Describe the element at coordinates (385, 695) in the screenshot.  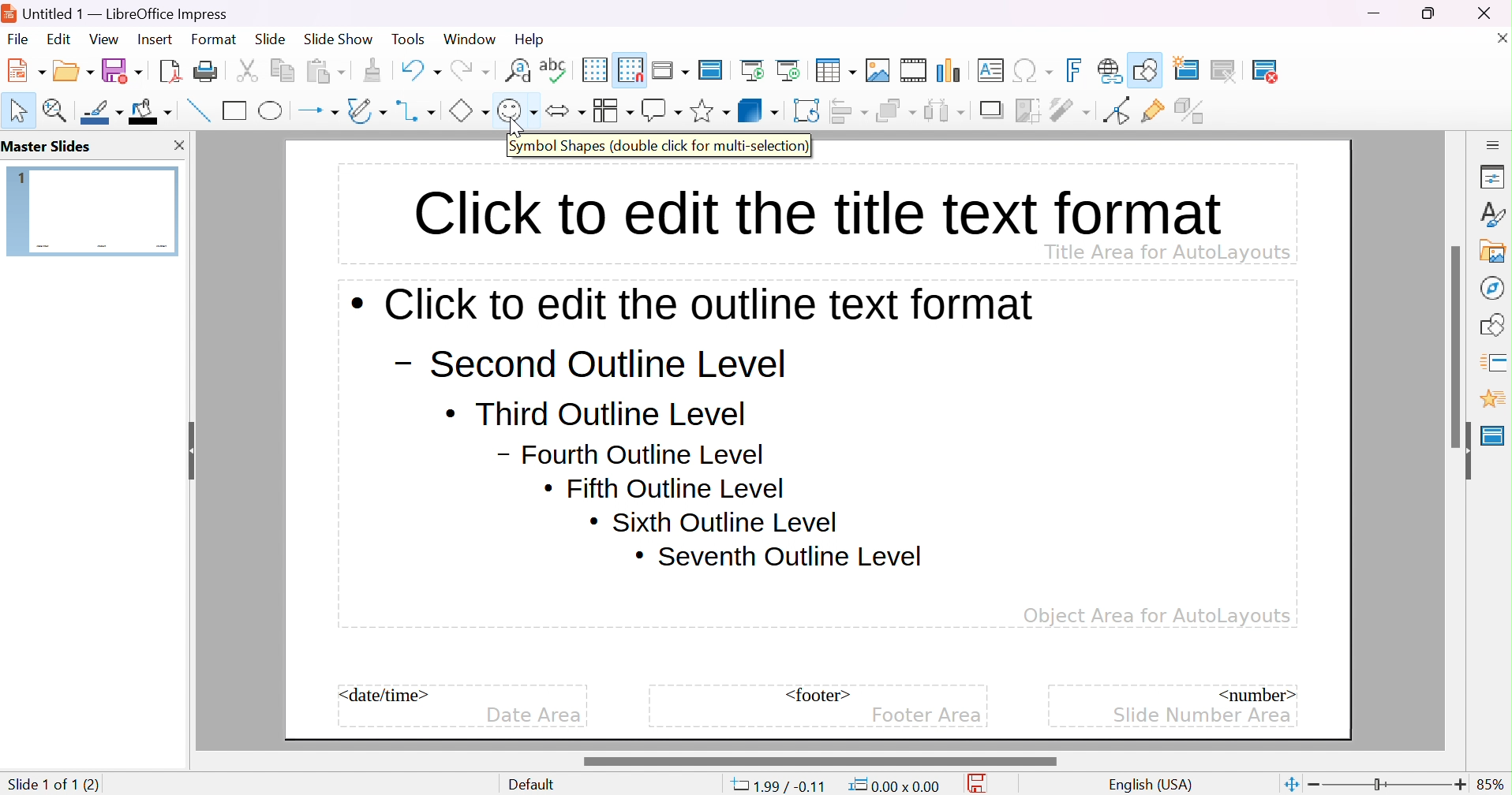
I see `<date/time>` at that location.